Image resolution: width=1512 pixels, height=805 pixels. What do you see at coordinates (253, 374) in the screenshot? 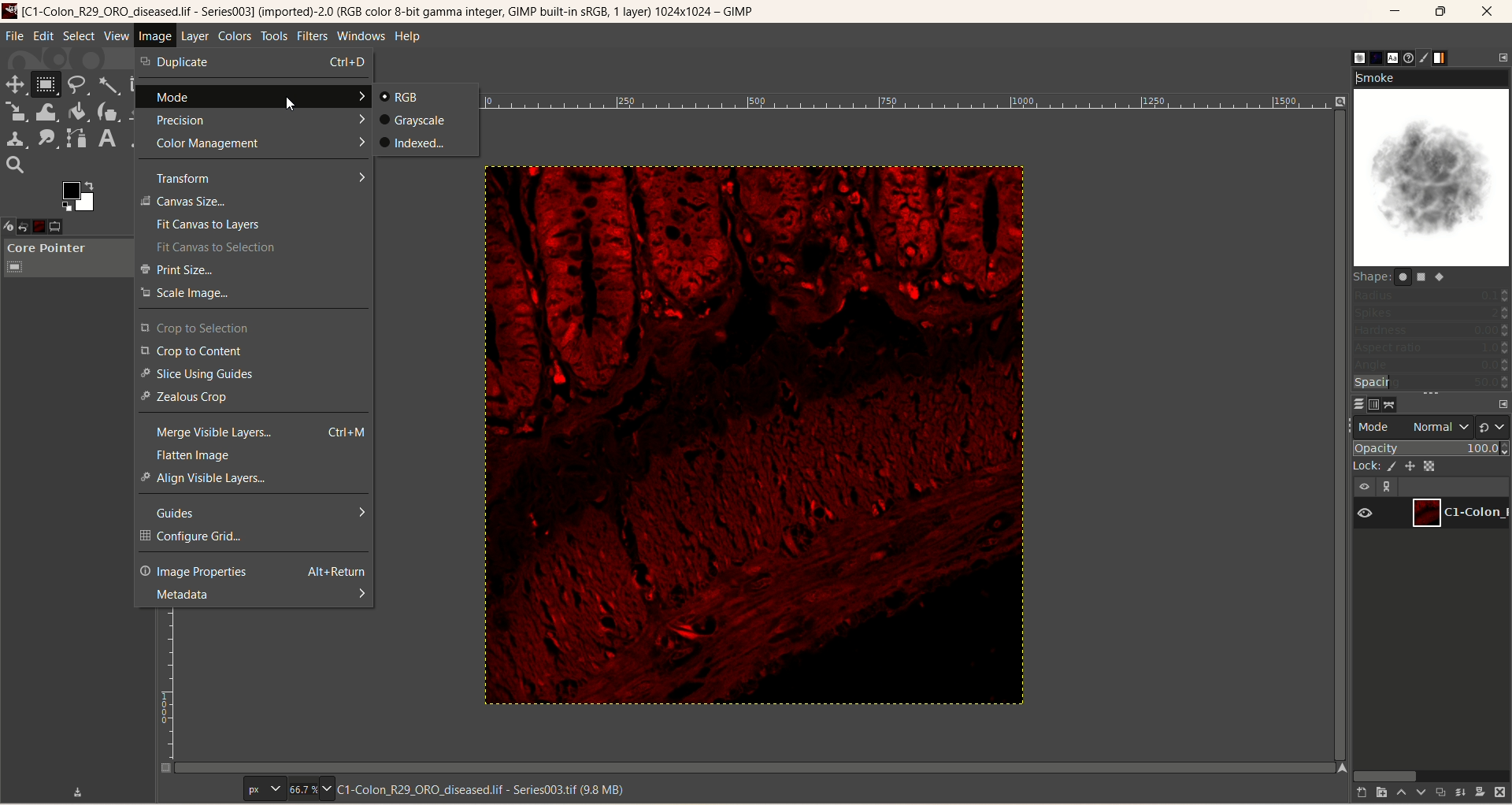
I see `slice using guides` at bounding box center [253, 374].